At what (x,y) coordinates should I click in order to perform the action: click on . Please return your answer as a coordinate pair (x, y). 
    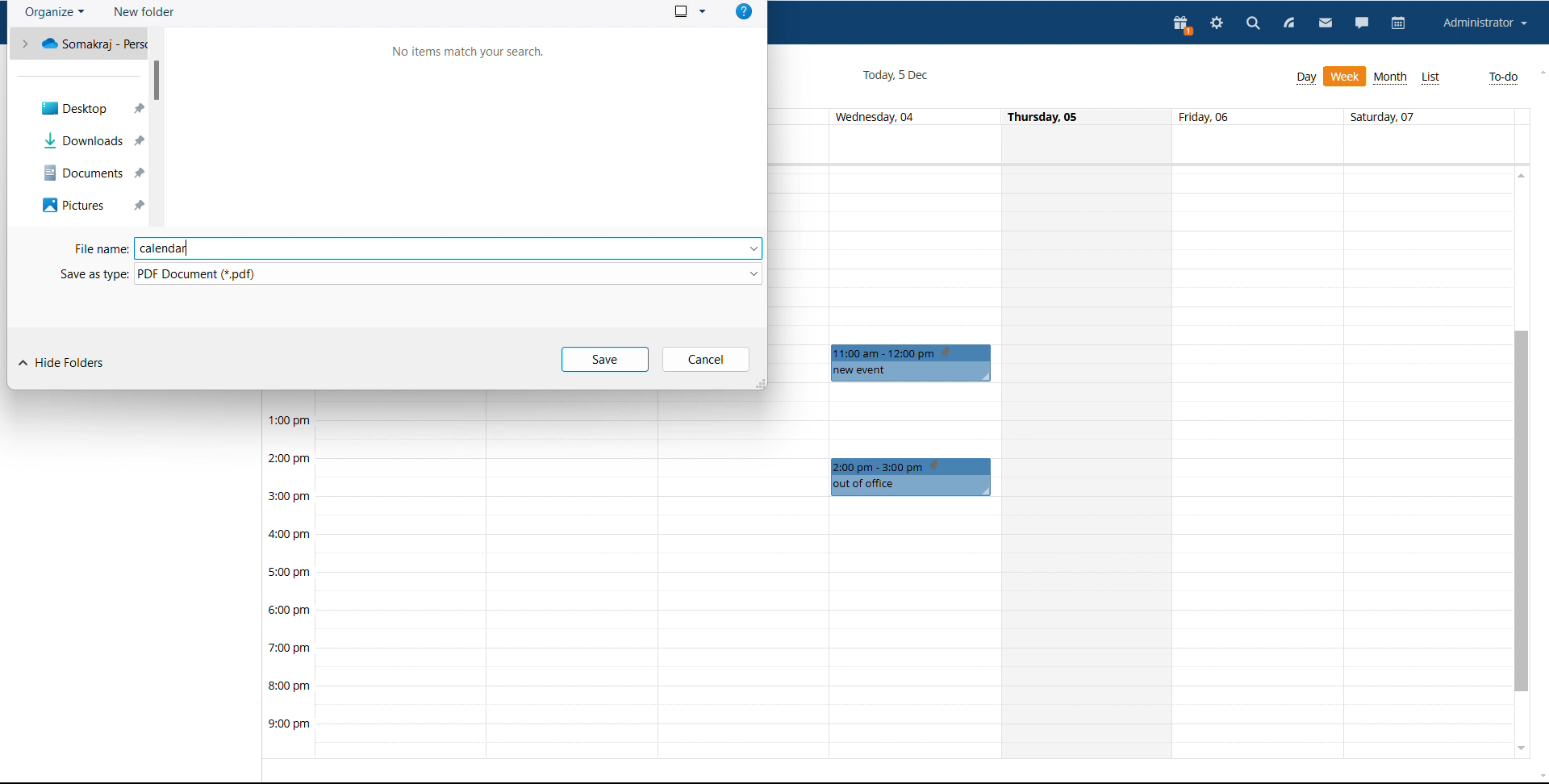
    Looking at the image, I should click on (92, 141).